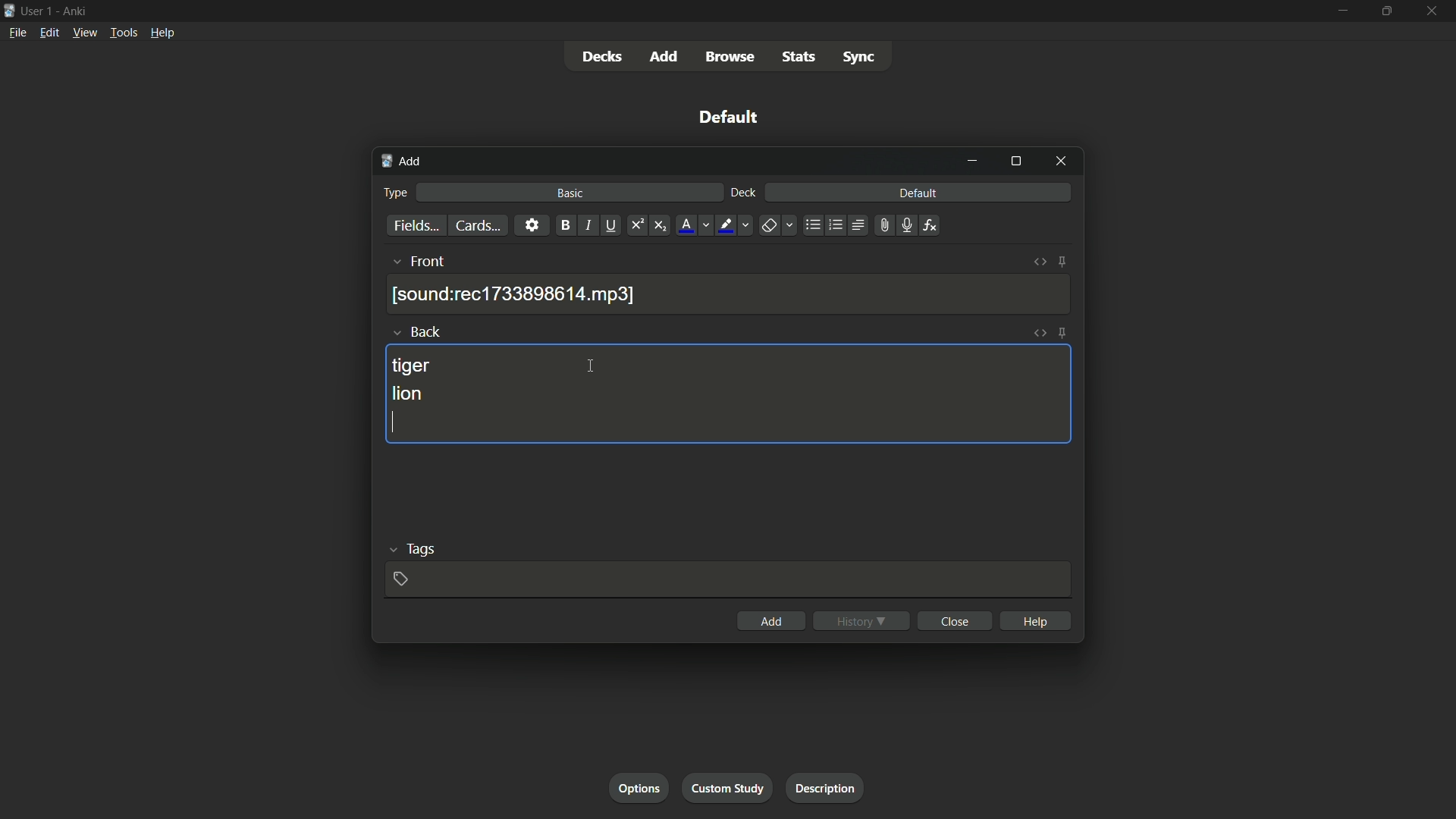 The image size is (1456, 819). I want to click on settings, so click(531, 225).